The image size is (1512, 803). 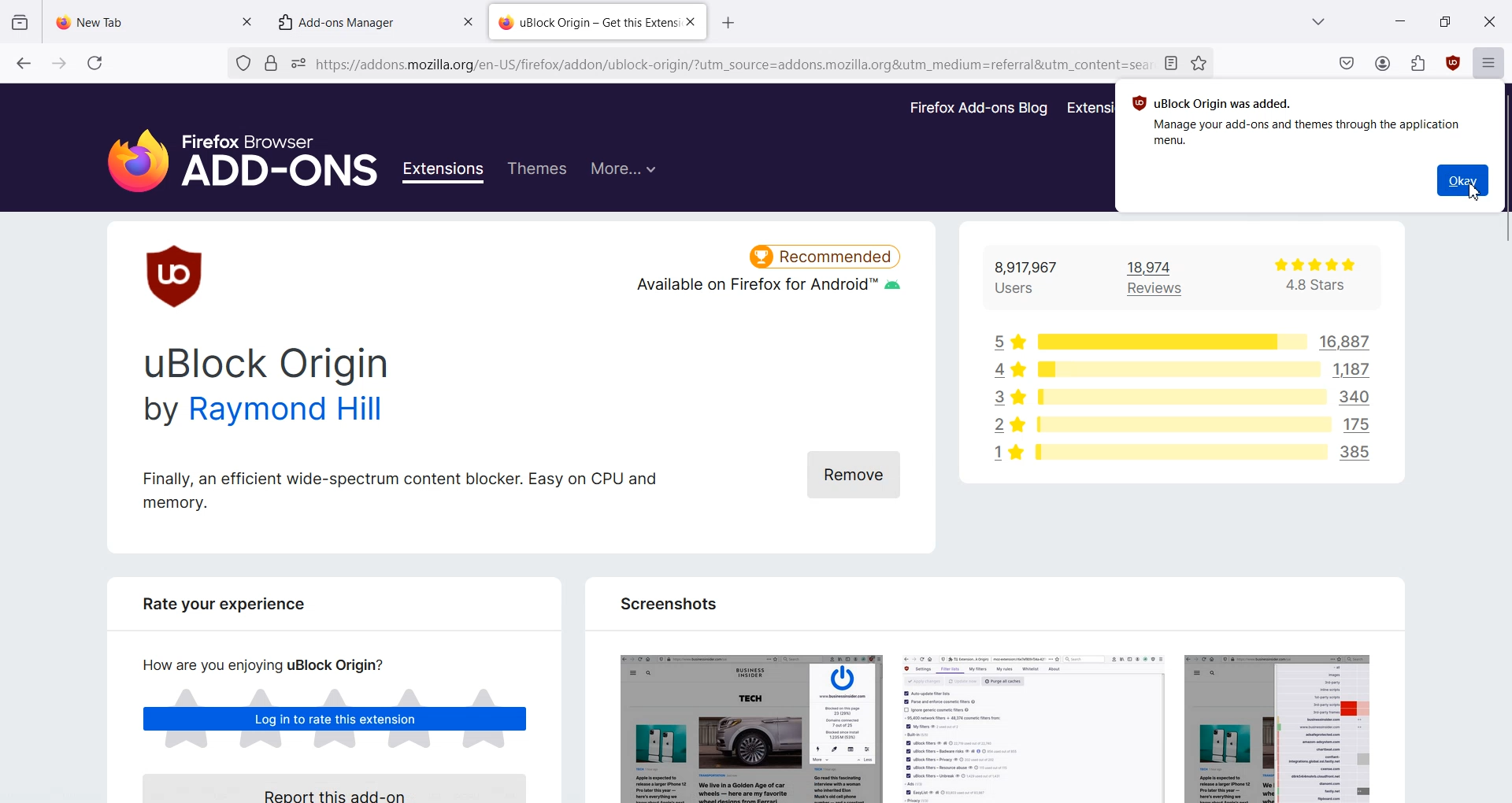 I want to click on 5 star rating, so click(x=1007, y=339).